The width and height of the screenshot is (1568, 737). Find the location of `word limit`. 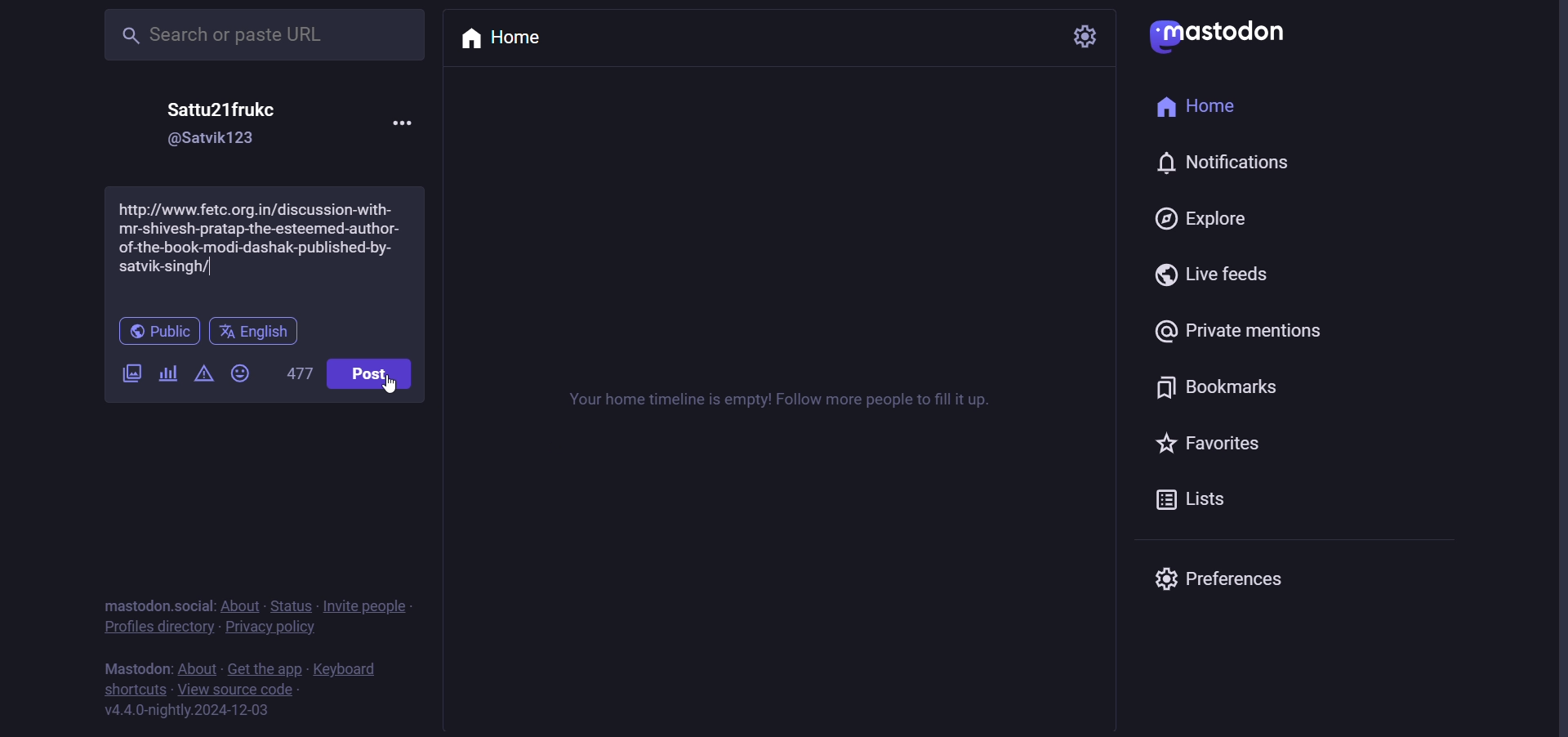

word limit is located at coordinates (302, 375).